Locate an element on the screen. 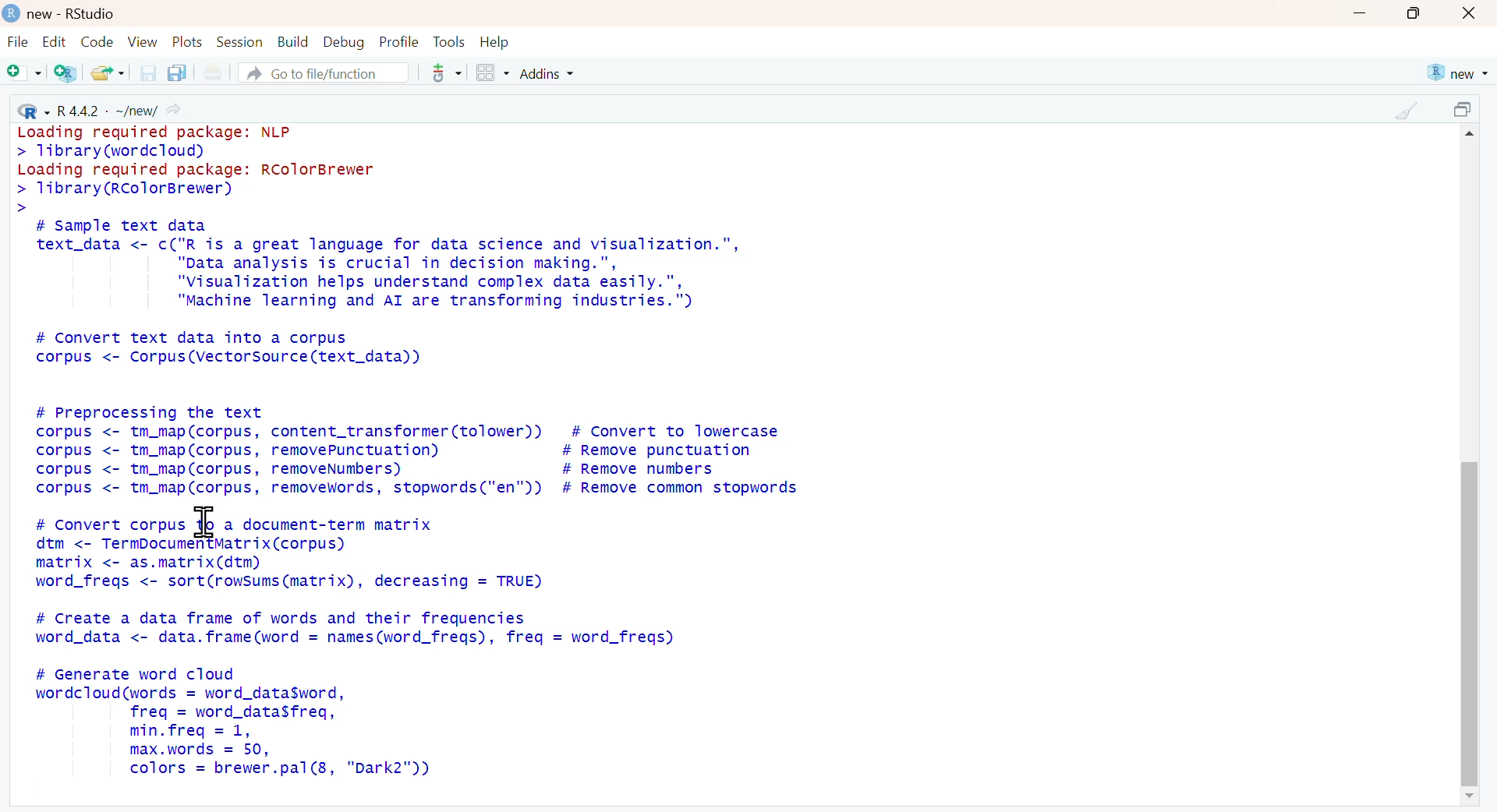 The image size is (1497, 812). Addins is located at coordinates (548, 74).